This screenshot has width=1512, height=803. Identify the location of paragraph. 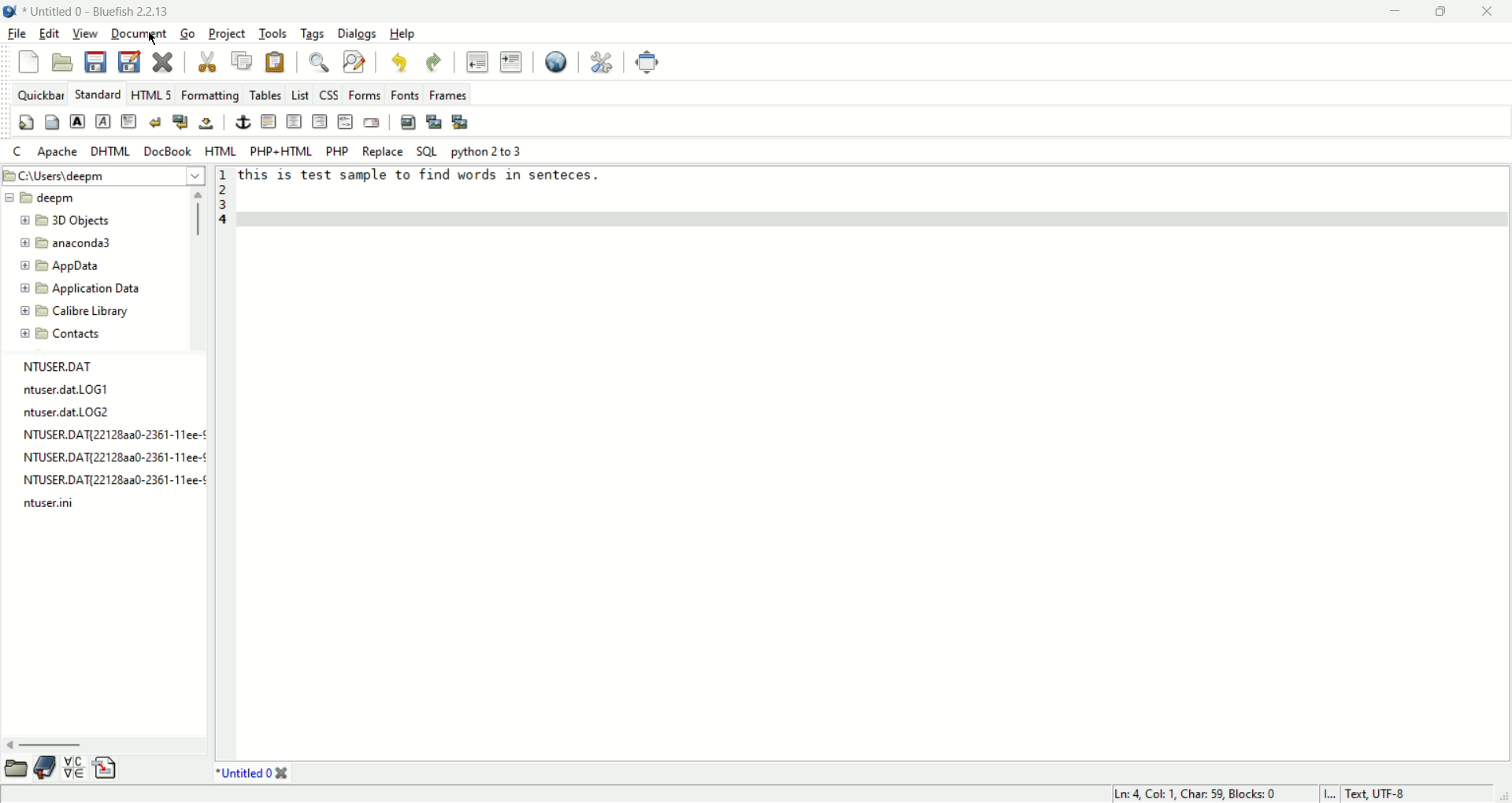
(128, 123).